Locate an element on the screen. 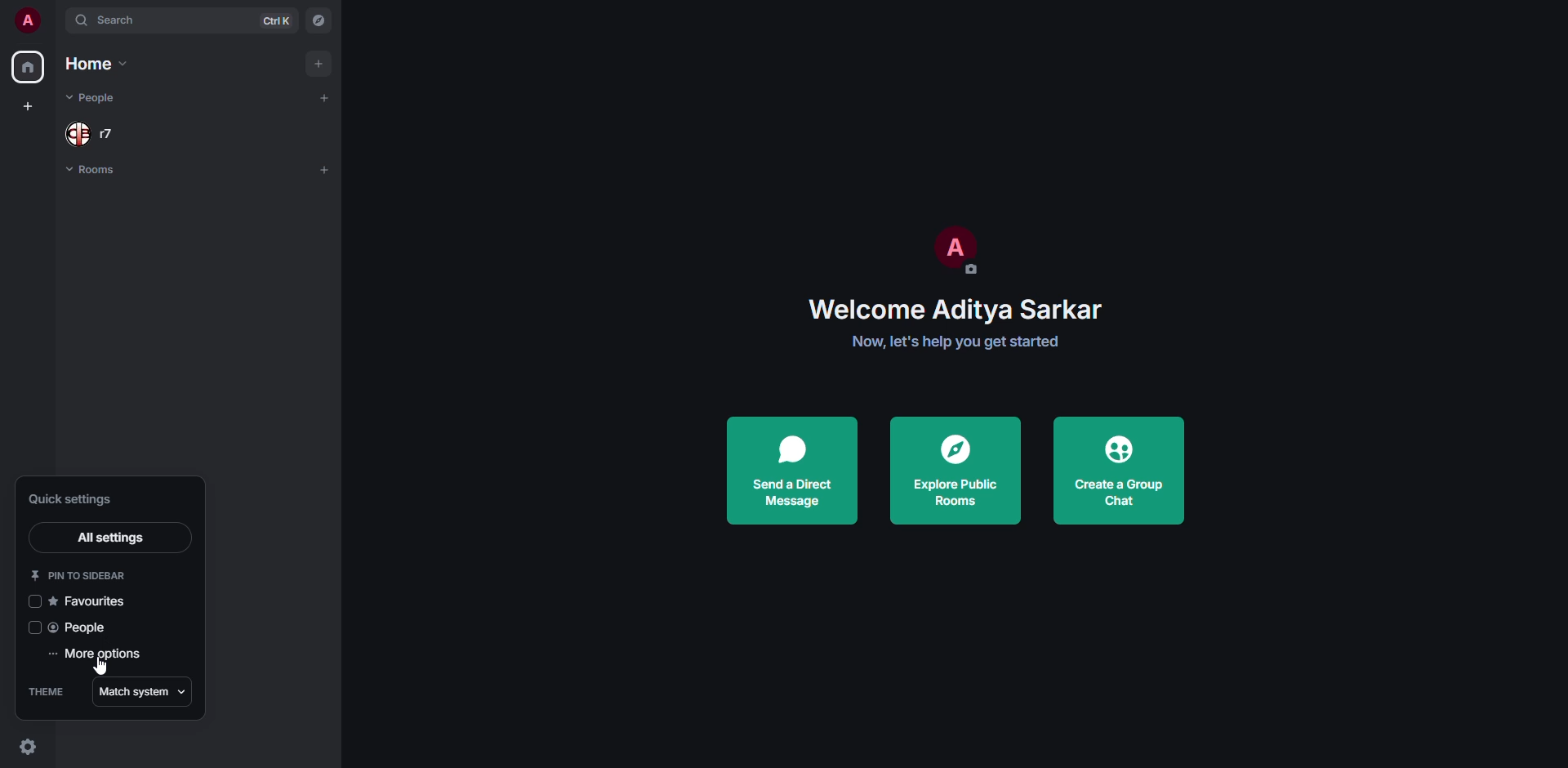 The image size is (1568, 768). theme is located at coordinates (44, 693).